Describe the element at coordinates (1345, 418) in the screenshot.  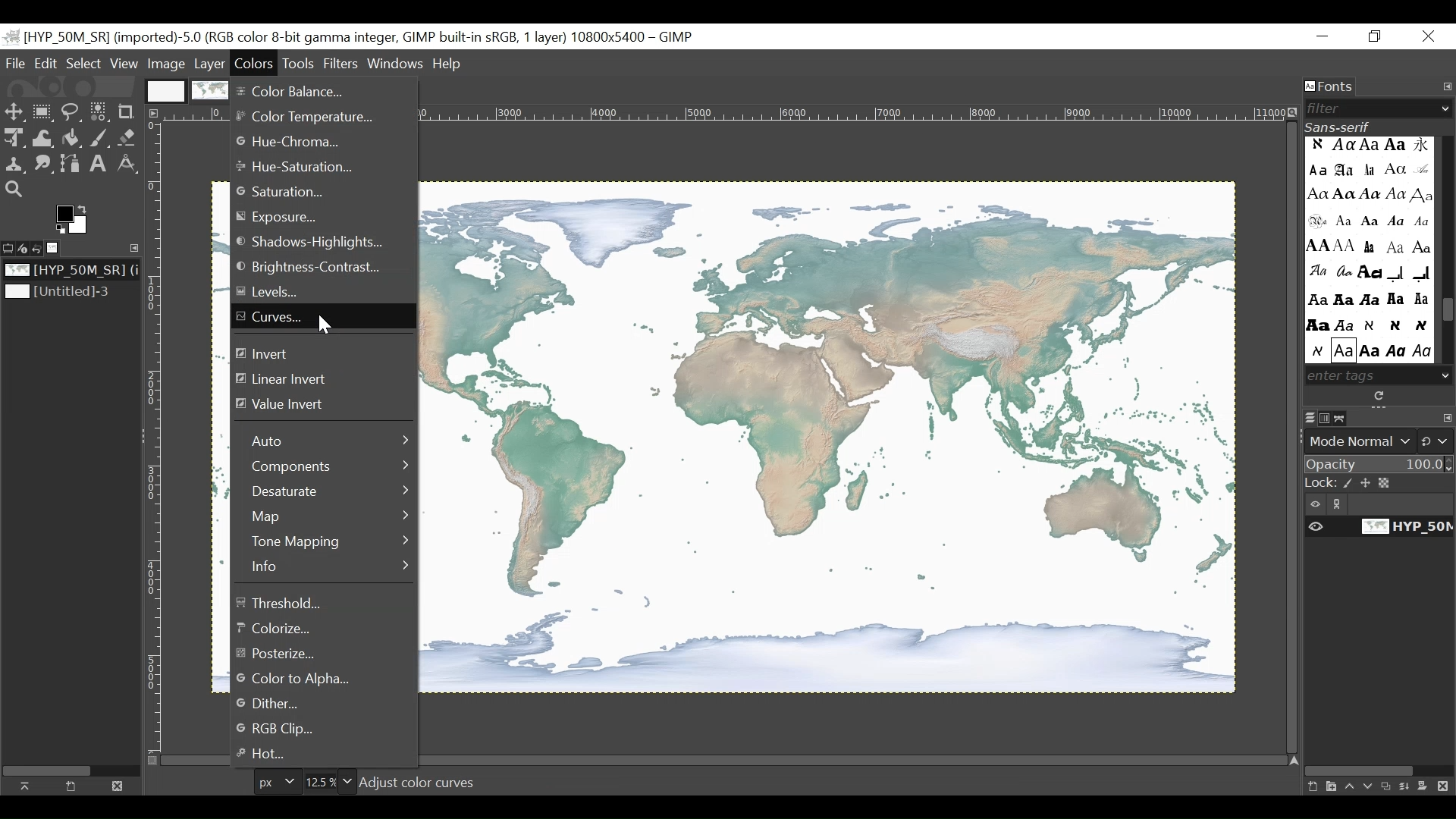
I see `Paths` at that location.